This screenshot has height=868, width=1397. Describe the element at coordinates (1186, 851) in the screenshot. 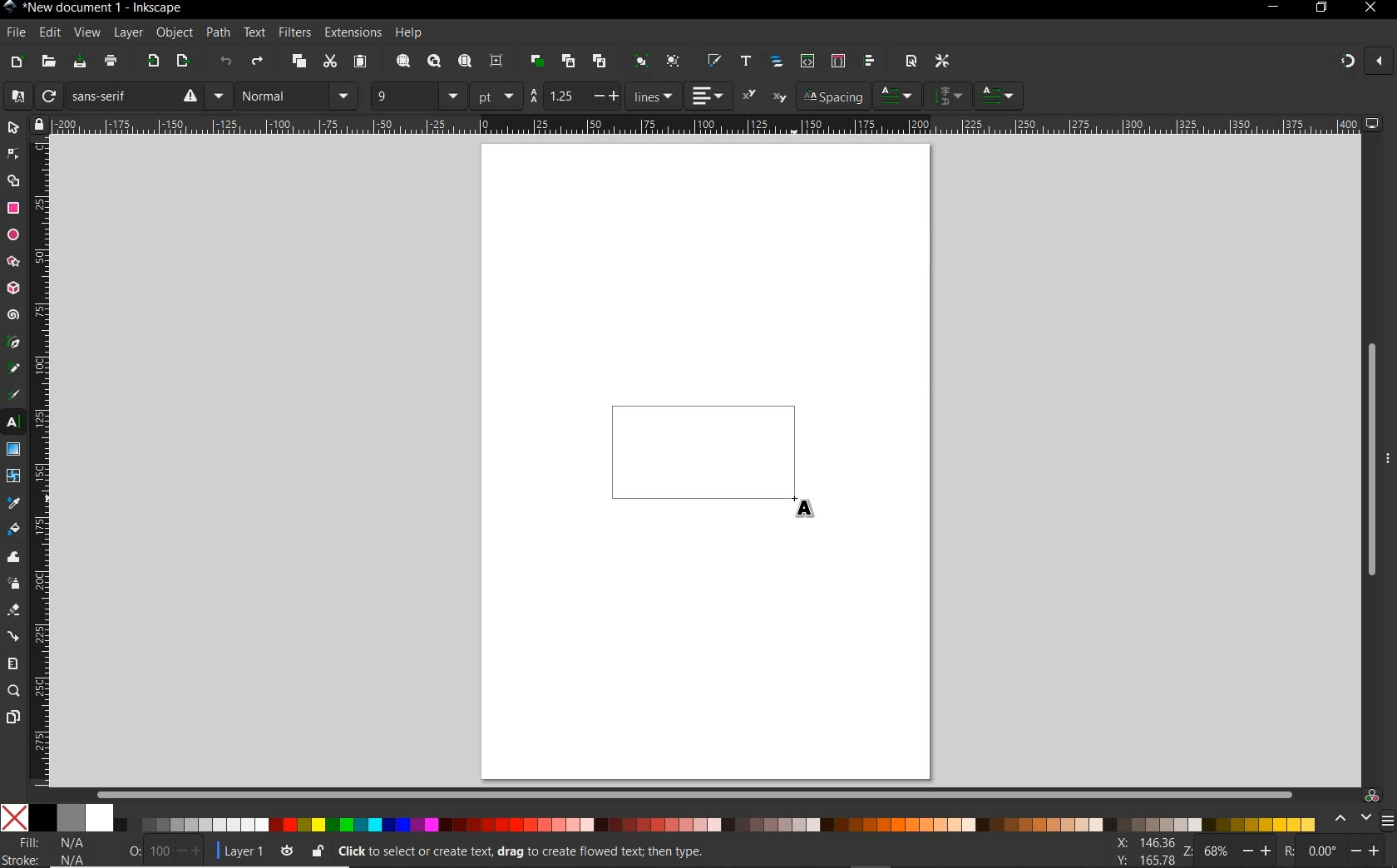

I see `zoom` at that location.